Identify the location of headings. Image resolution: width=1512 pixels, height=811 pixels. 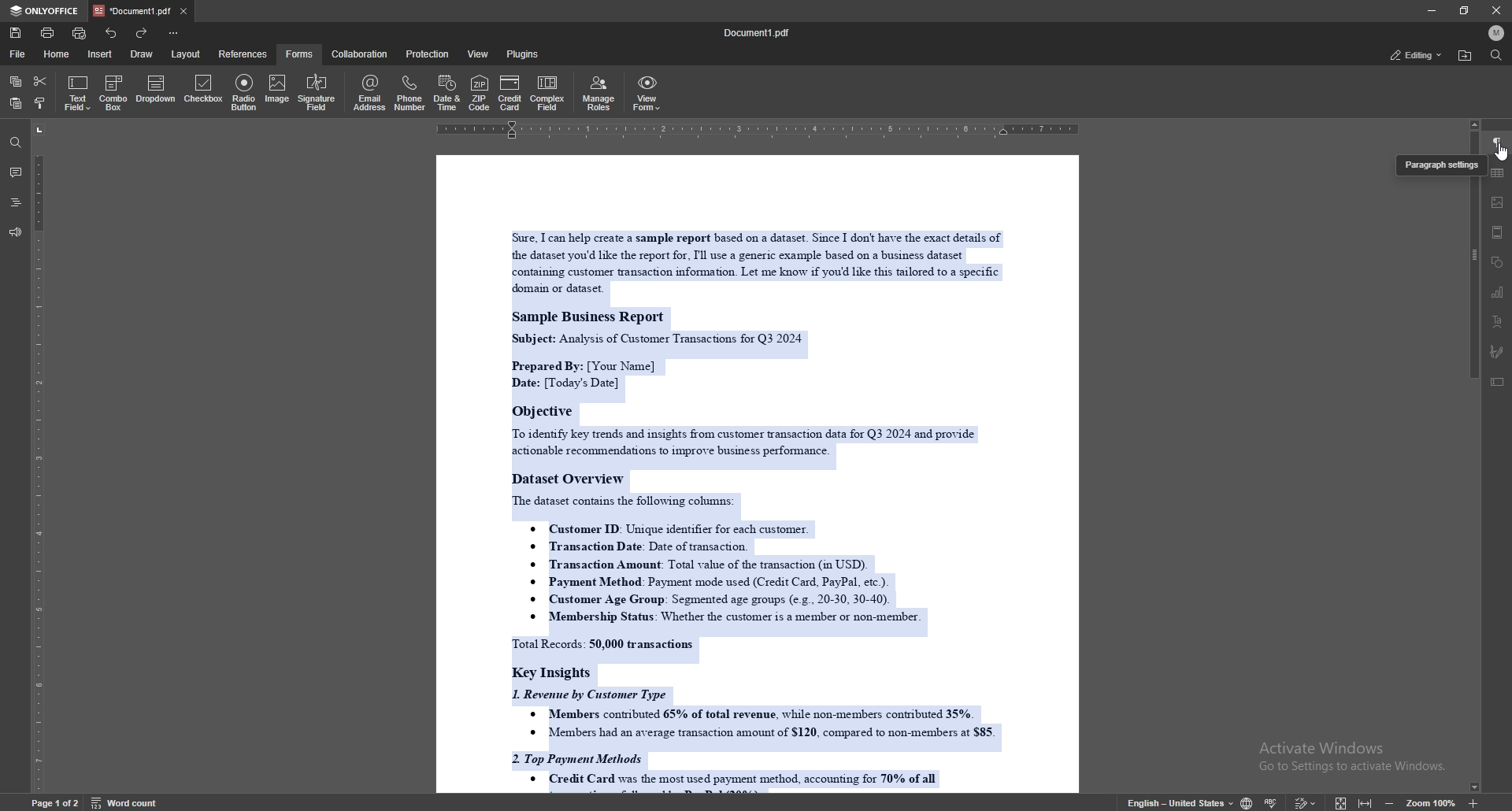
(16, 202).